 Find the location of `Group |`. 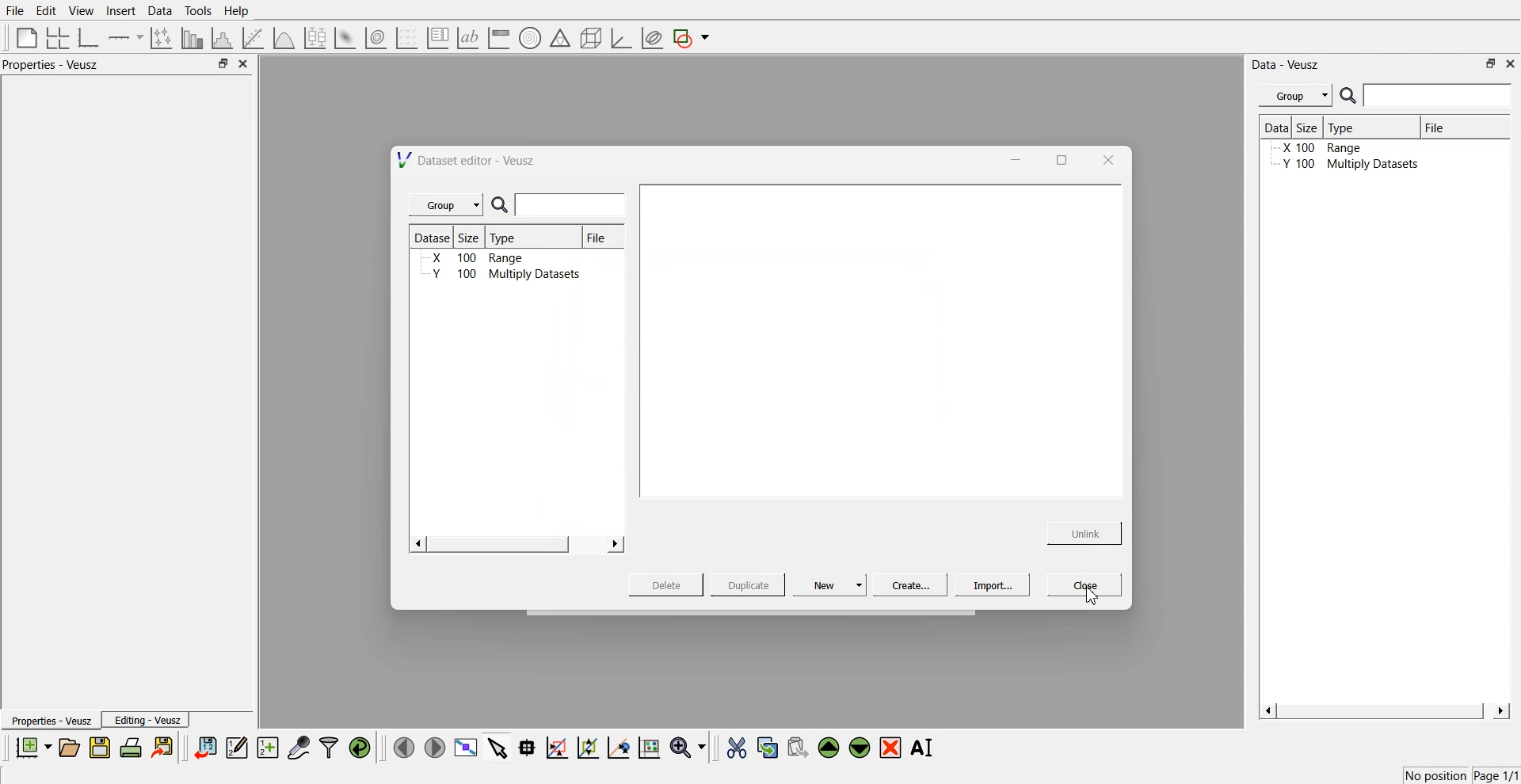

Group | is located at coordinates (448, 205).